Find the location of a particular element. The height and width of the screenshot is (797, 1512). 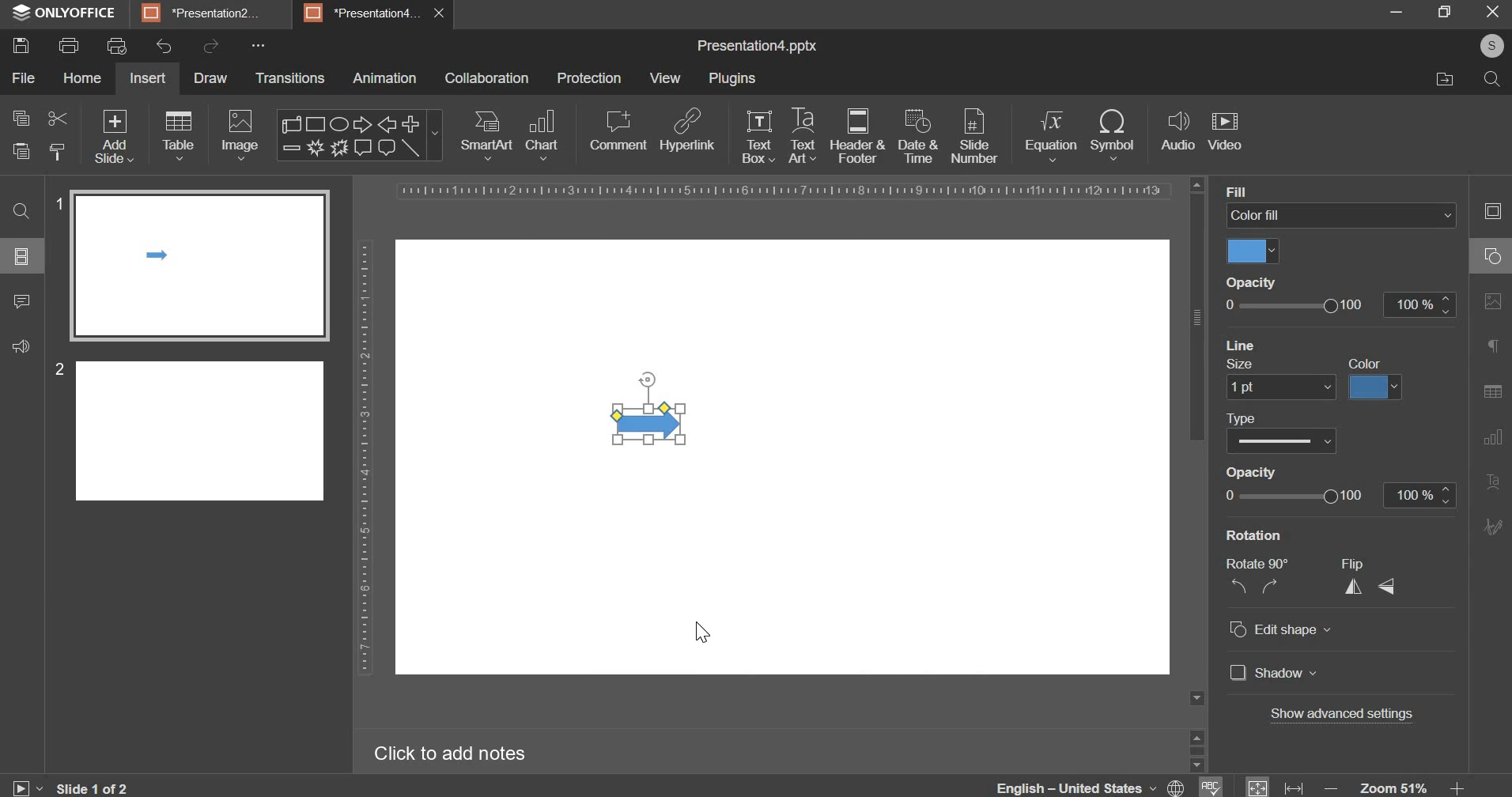

print preview is located at coordinates (117, 47).